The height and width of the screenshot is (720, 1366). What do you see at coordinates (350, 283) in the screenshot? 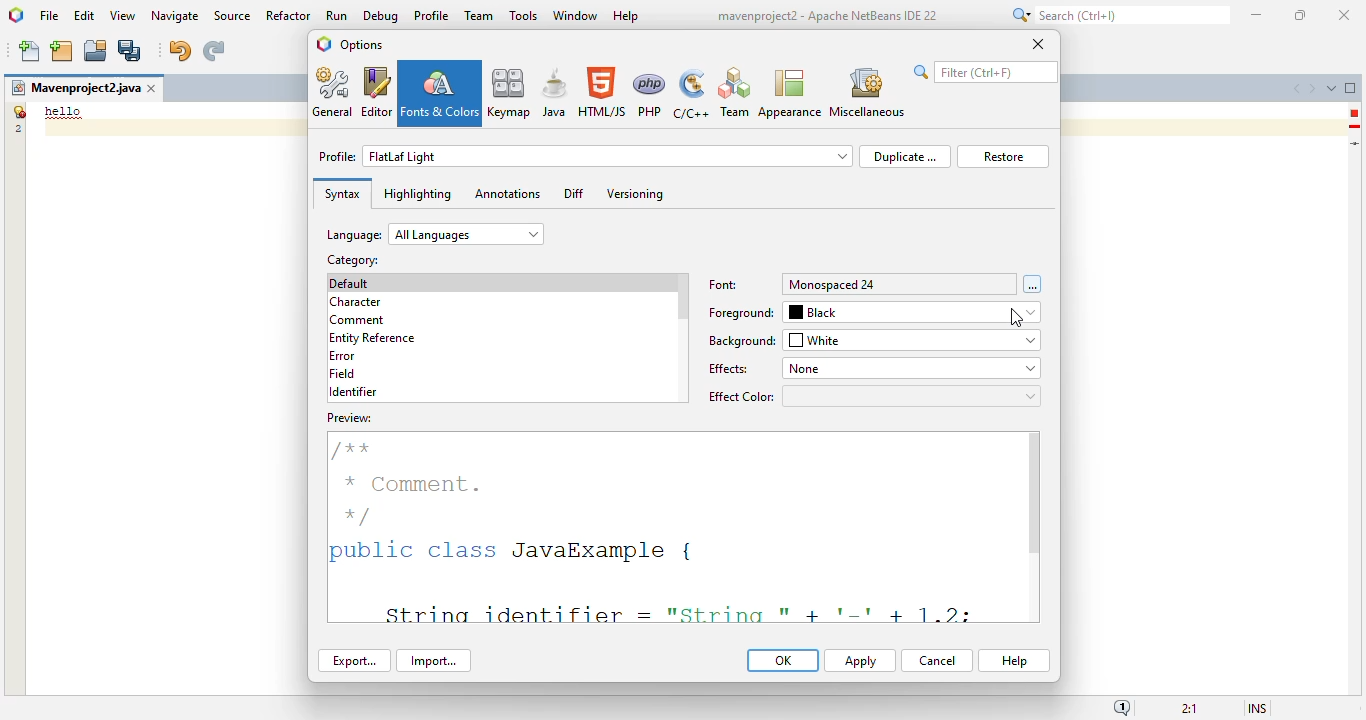
I see `default` at bounding box center [350, 283].